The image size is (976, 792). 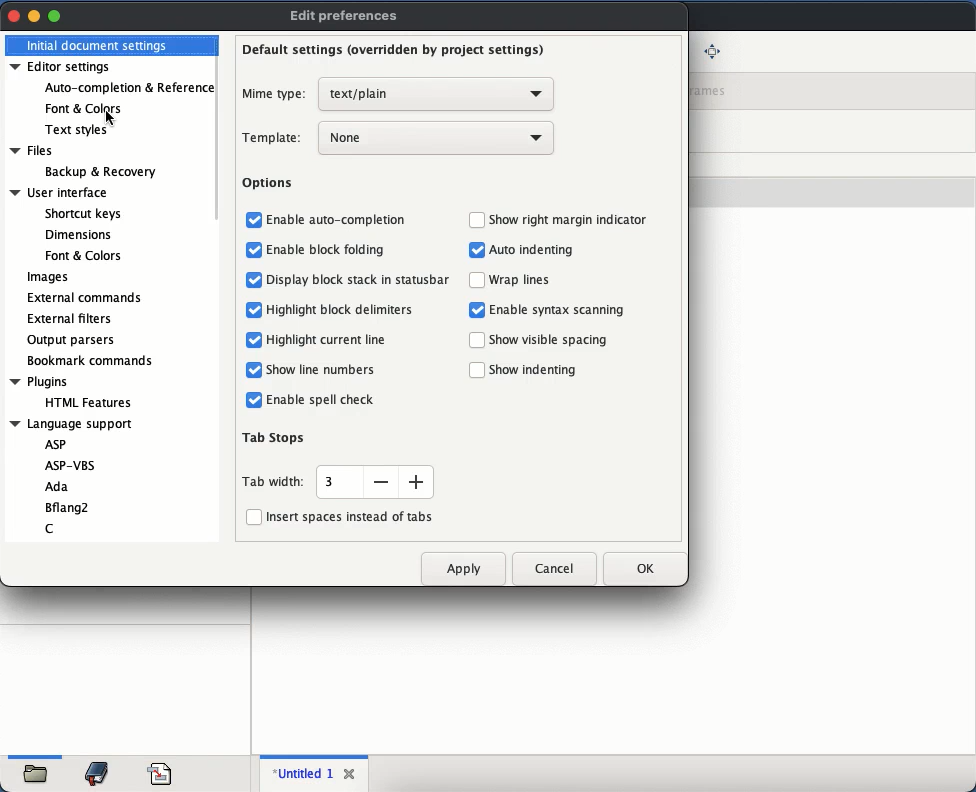 What do you see at coordinates (534, 251) in the screenshot?
I see `Auto indenting` at bounding box center [534, 251].